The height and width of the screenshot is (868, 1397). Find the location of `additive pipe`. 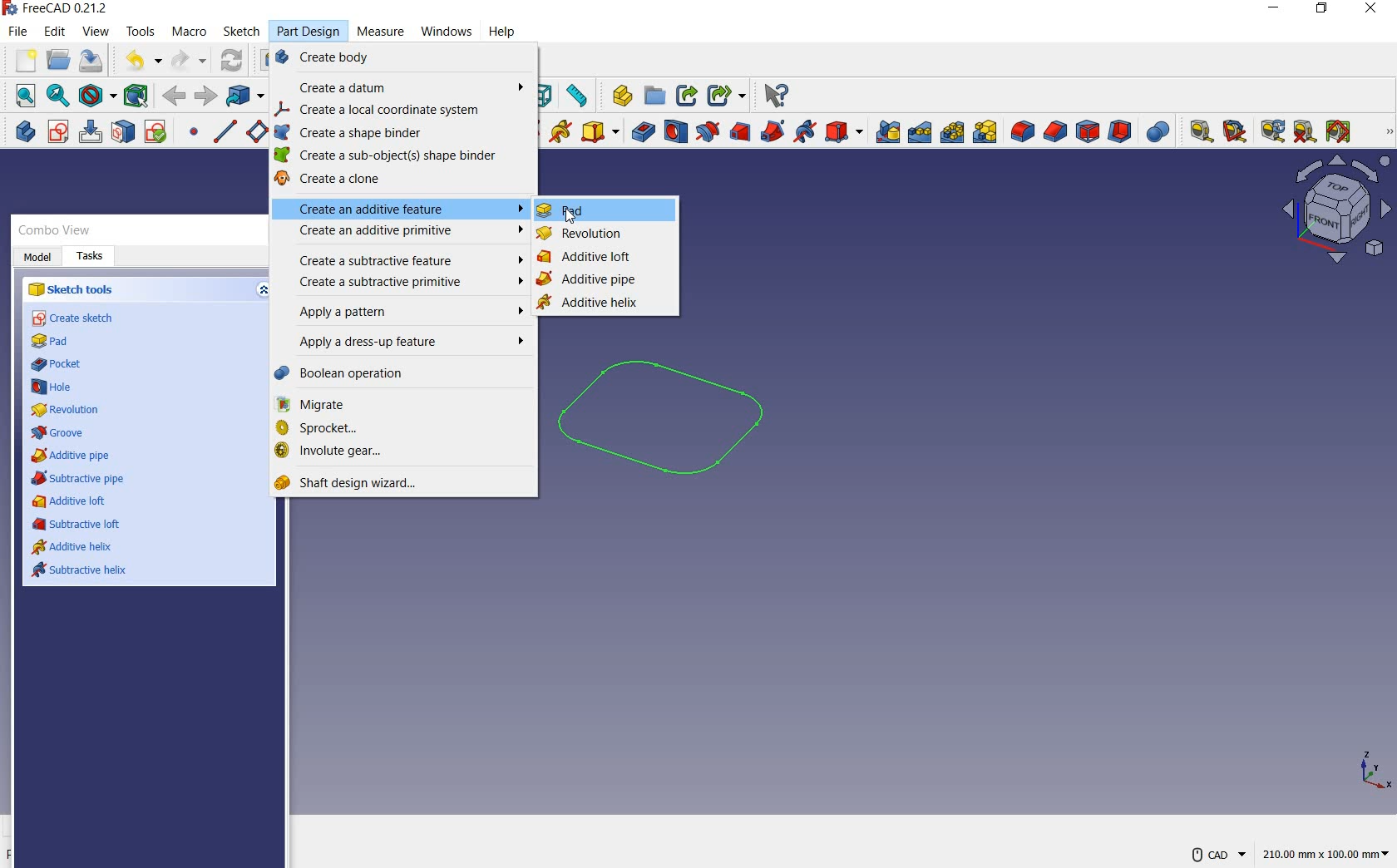

additive pipe is located at coordinates (589, 282).